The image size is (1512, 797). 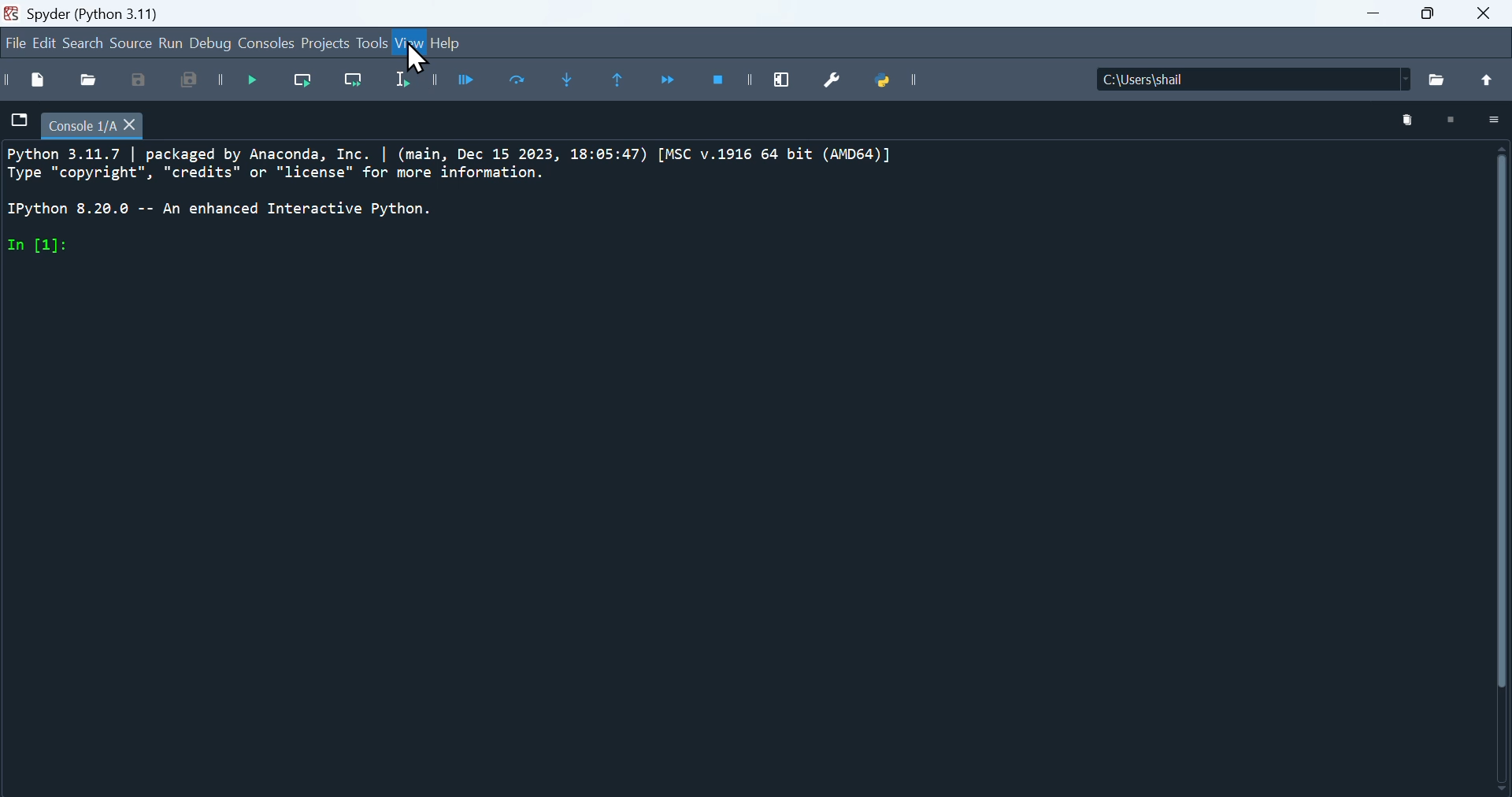 What do you see at coordinates (415, 83) in the screenshot?
I see `Run selection` at bounding box center [415, 83].